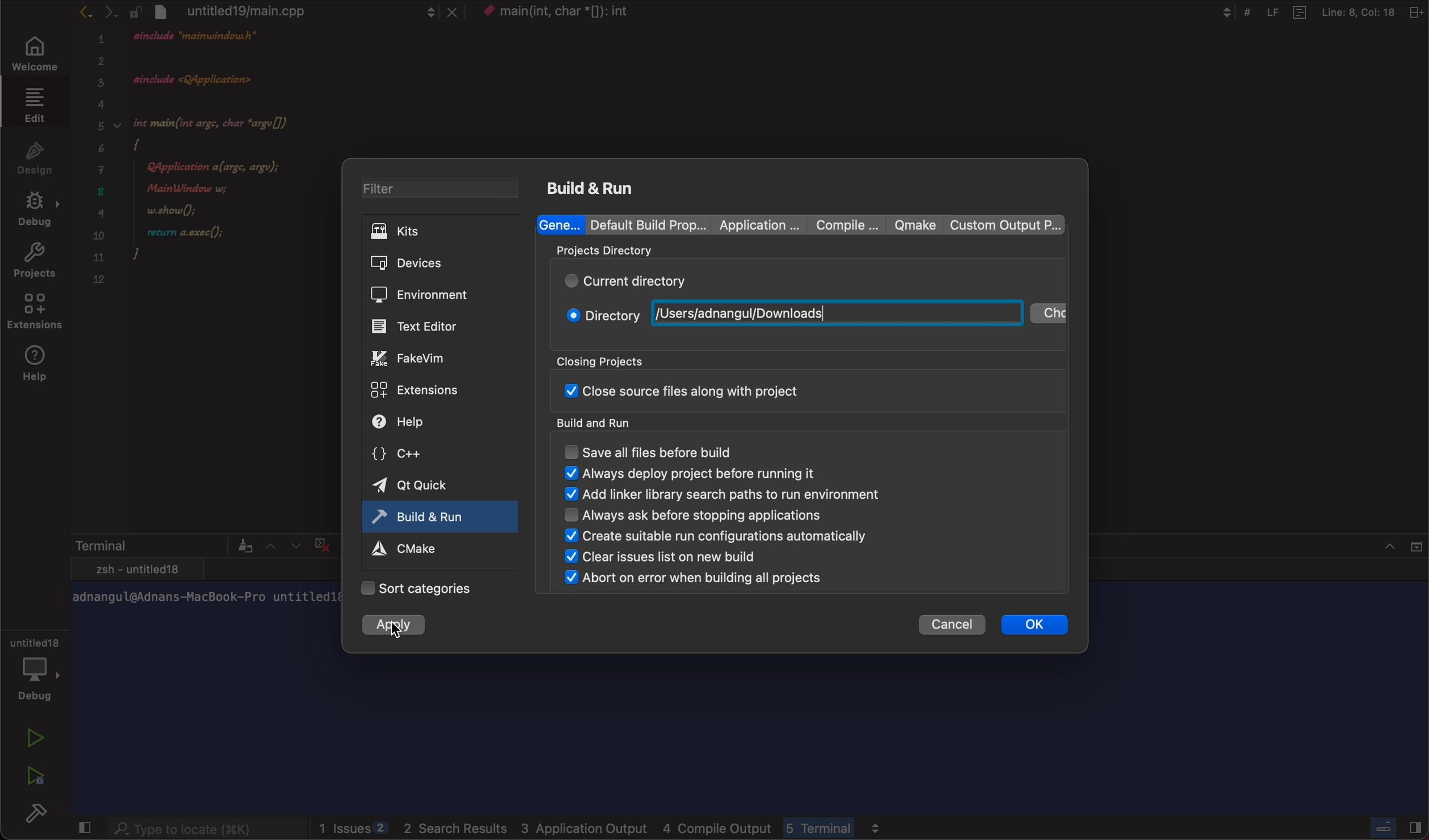  Describe the element at coordinates (400, 629) in the screenshot. I see `cursor` at that location.